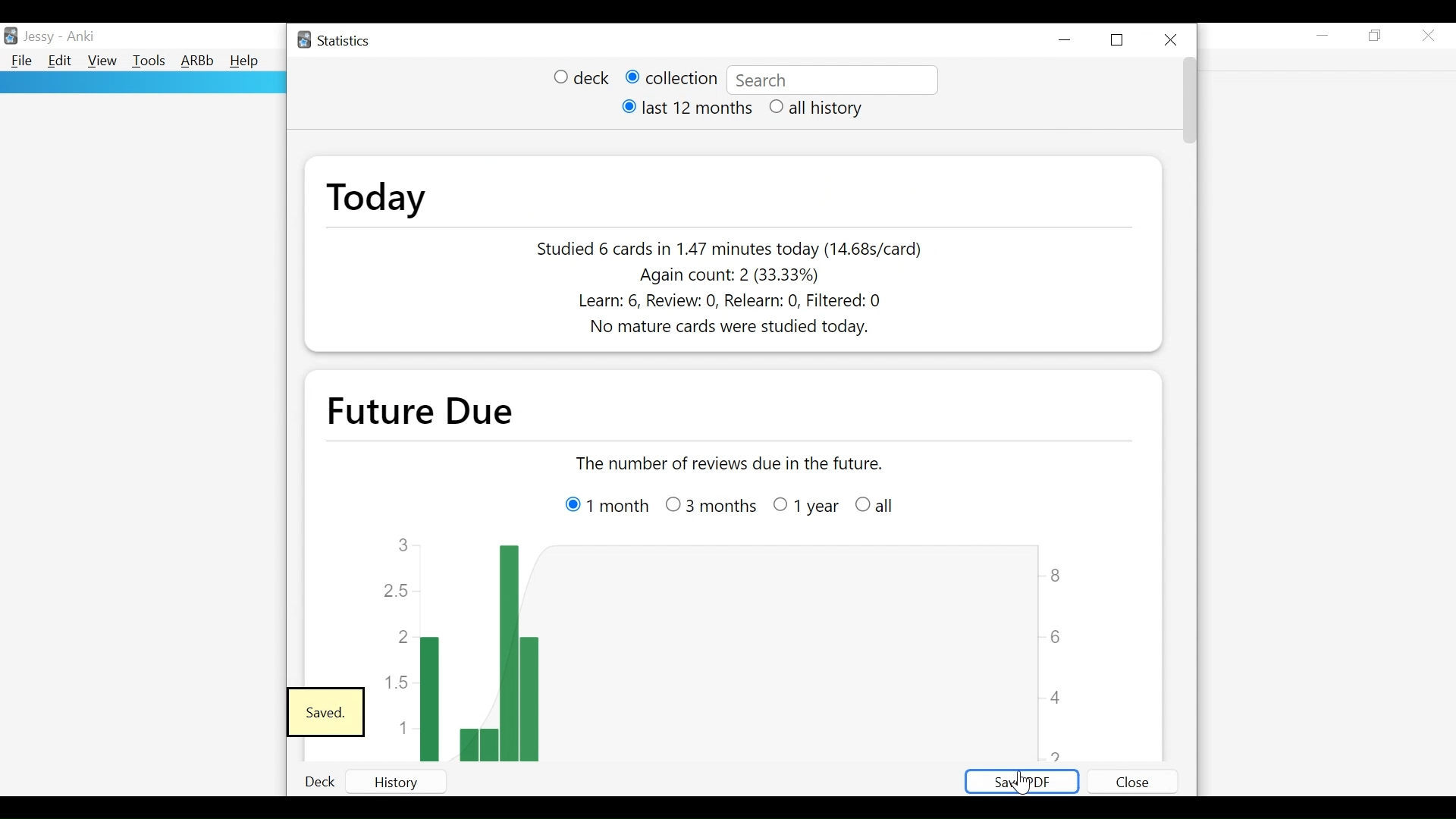  Describe the element at coordinates (102, 61) in the screenshot. I see `View` at that location.